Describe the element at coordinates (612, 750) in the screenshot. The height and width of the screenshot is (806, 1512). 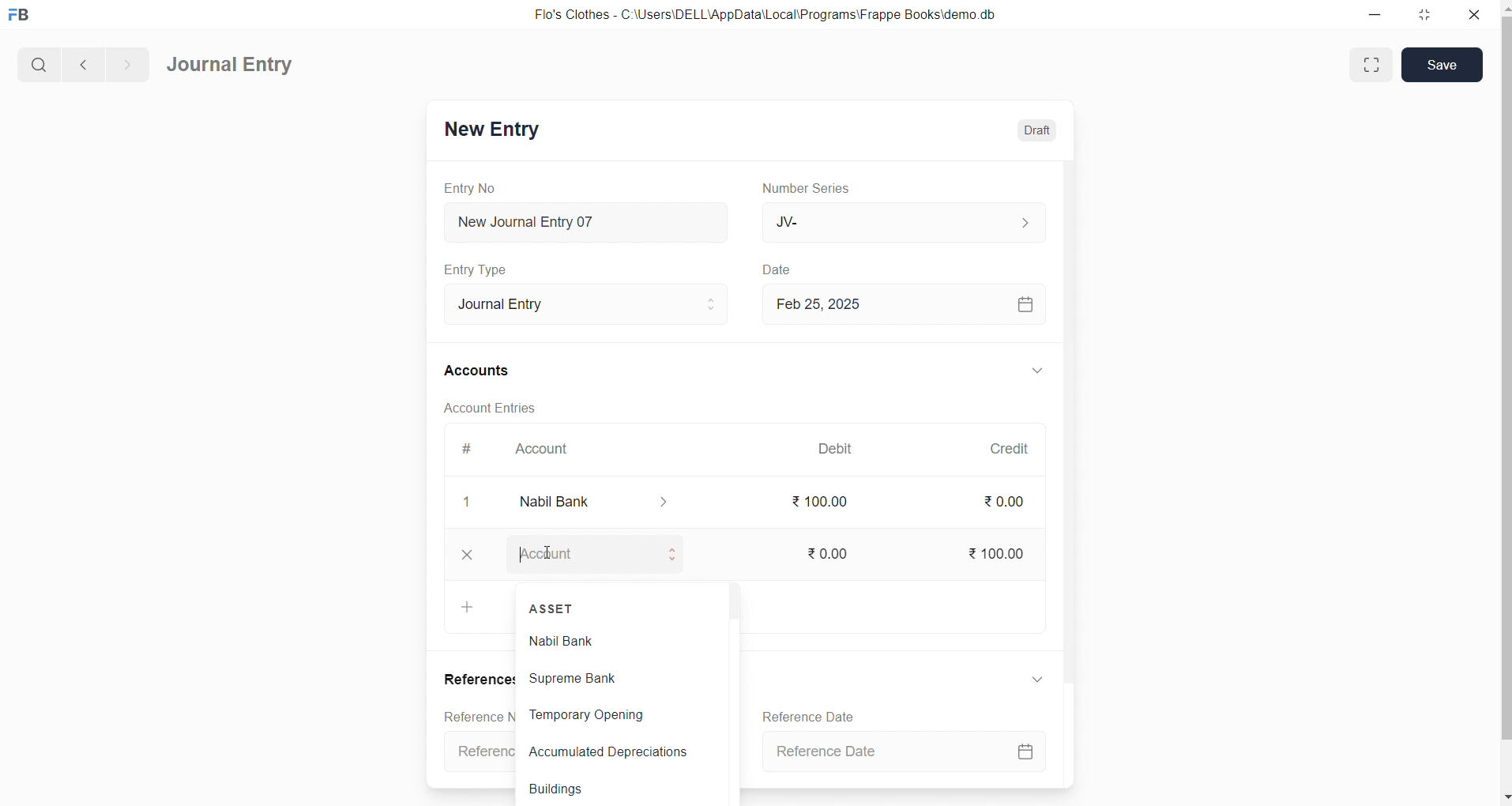
I see `Accumulated Depreciations` at that location.